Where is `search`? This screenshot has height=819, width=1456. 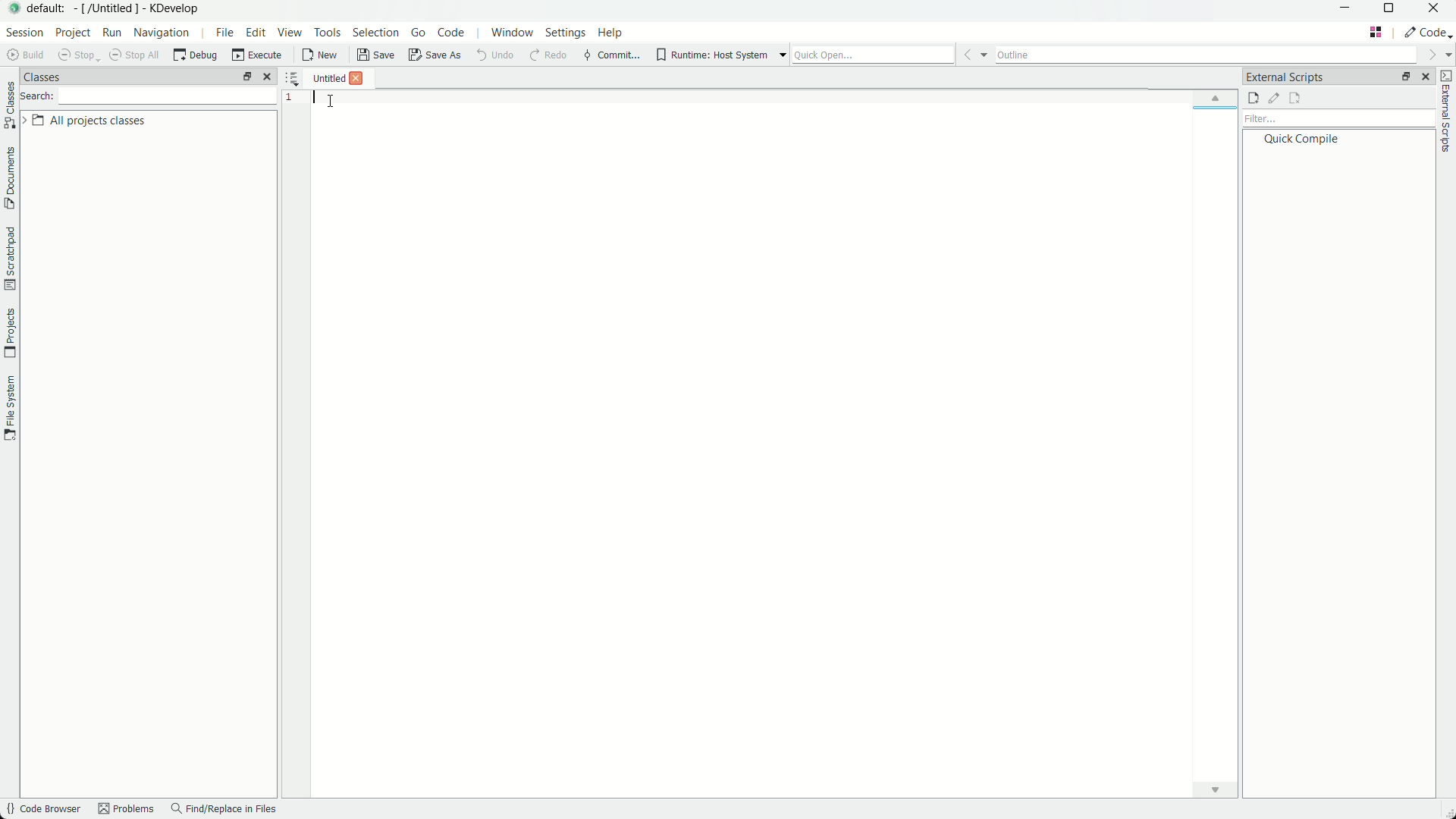
search is located at coordinates (38, 99).